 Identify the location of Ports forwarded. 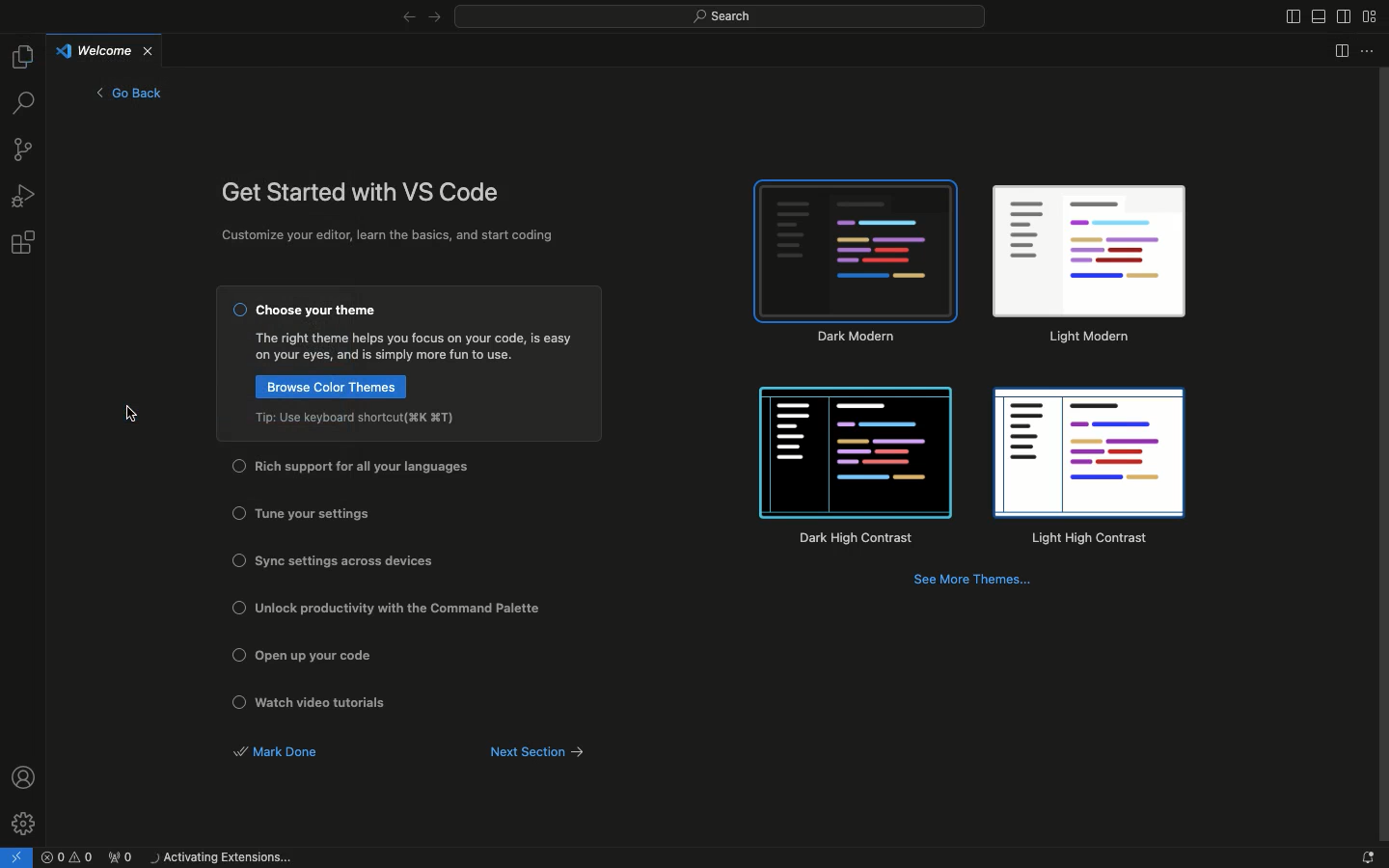
(125, 858).